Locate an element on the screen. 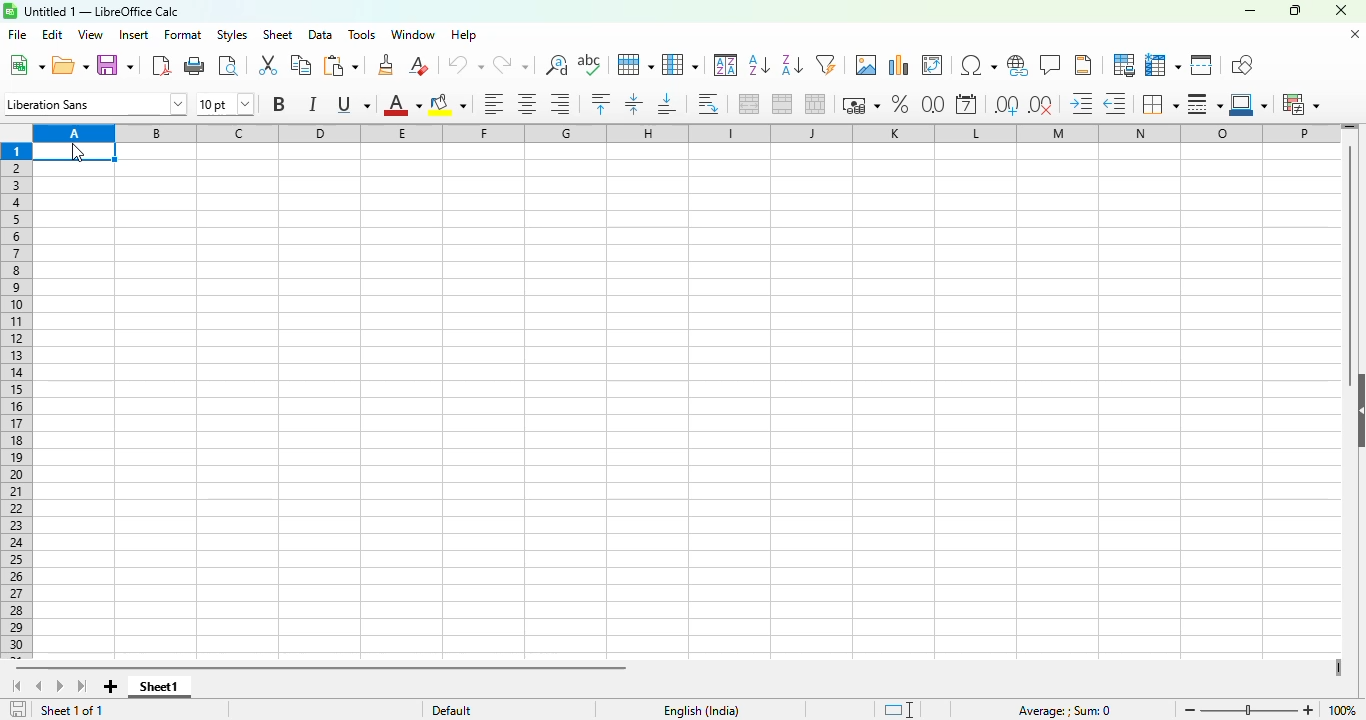  insert chart is located at coordinates (899, 65).